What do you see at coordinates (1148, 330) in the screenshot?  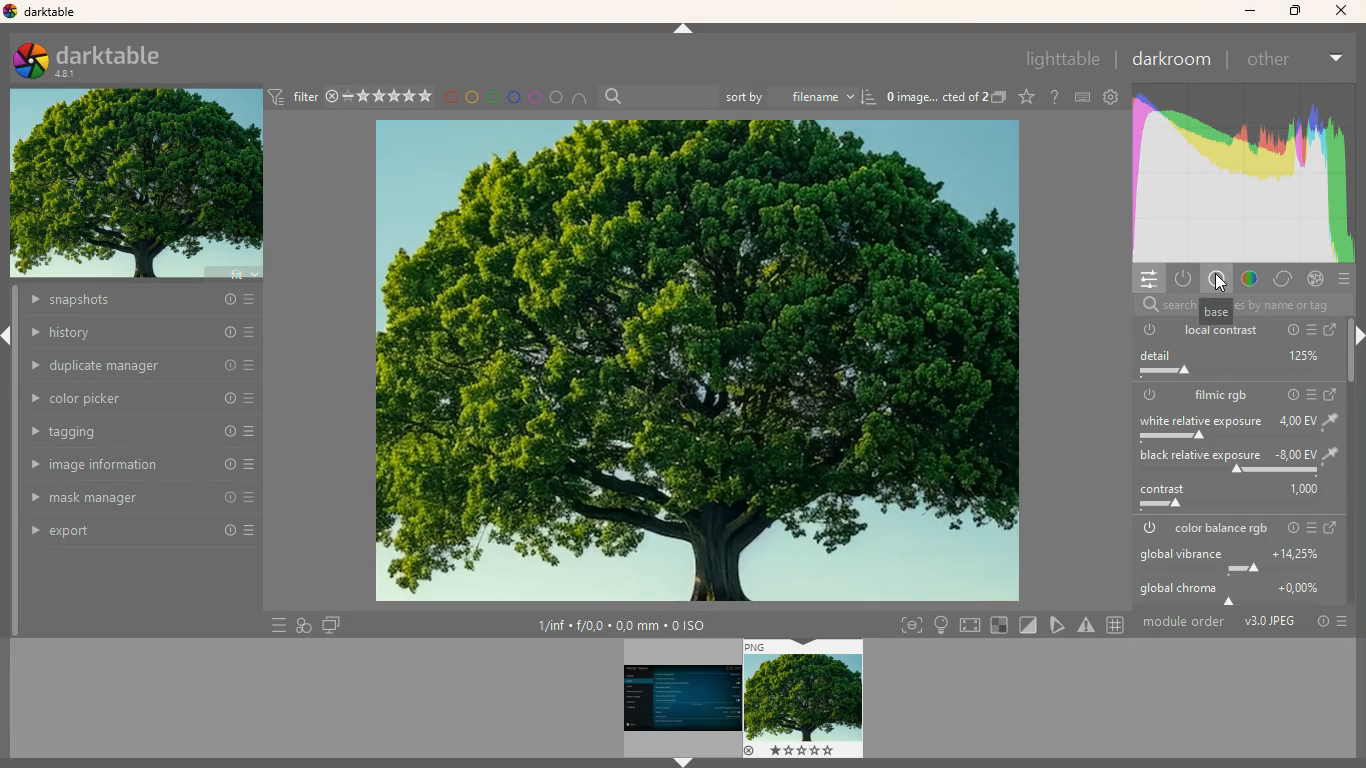 I see `power` at bounding box center [1148, 330].